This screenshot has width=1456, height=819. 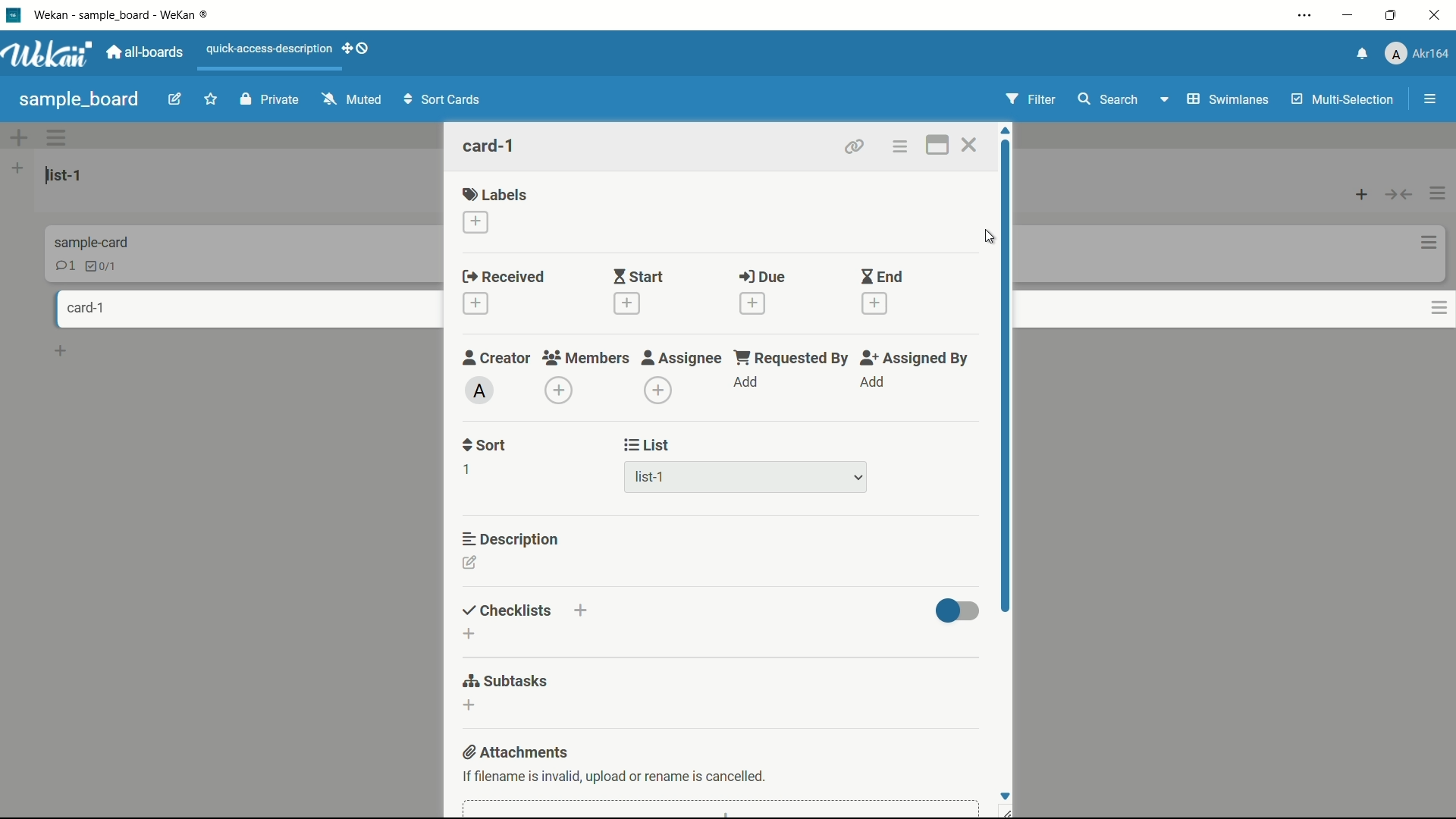 What do you see at coordinates (657, 391) in the screenshot?
I see `add assignee` at bounding box center [657, 391].